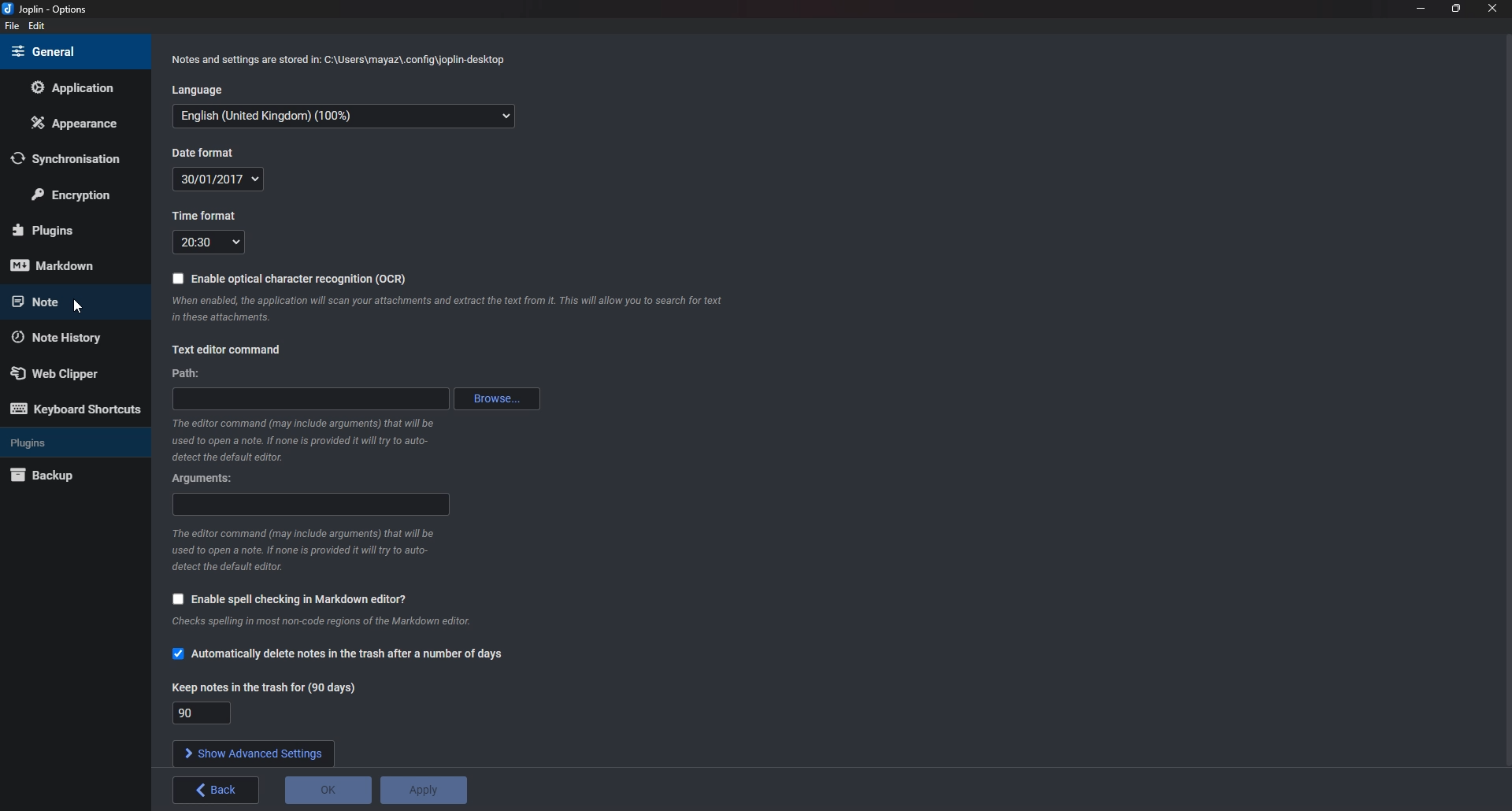 This screenshot has height=811, width=1512. Describe the element at coordinates (341, 620) in the screenshot. I see `info` at that location.